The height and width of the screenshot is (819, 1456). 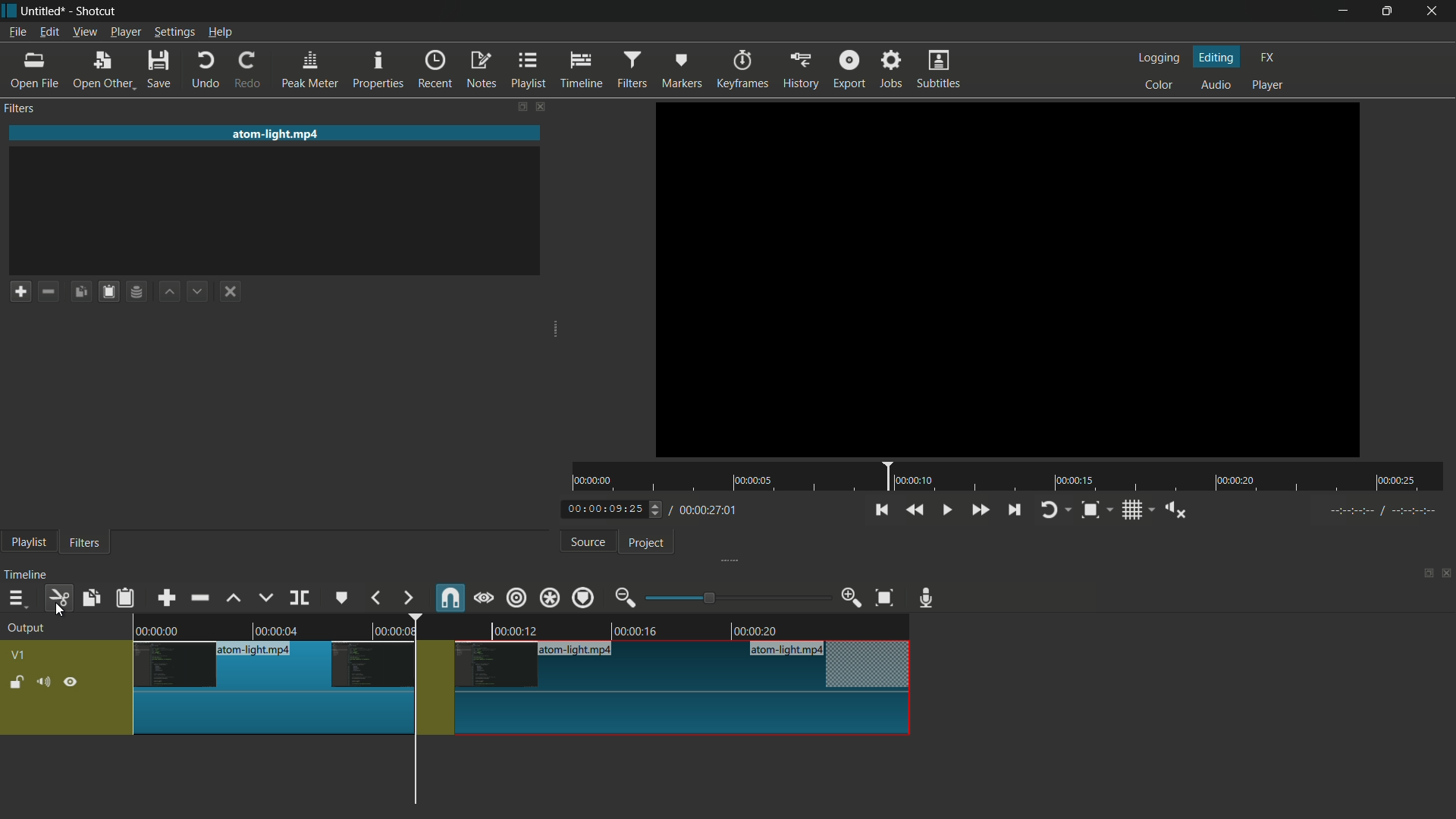 I want to click on move filter up, so click(x=171, y=293).